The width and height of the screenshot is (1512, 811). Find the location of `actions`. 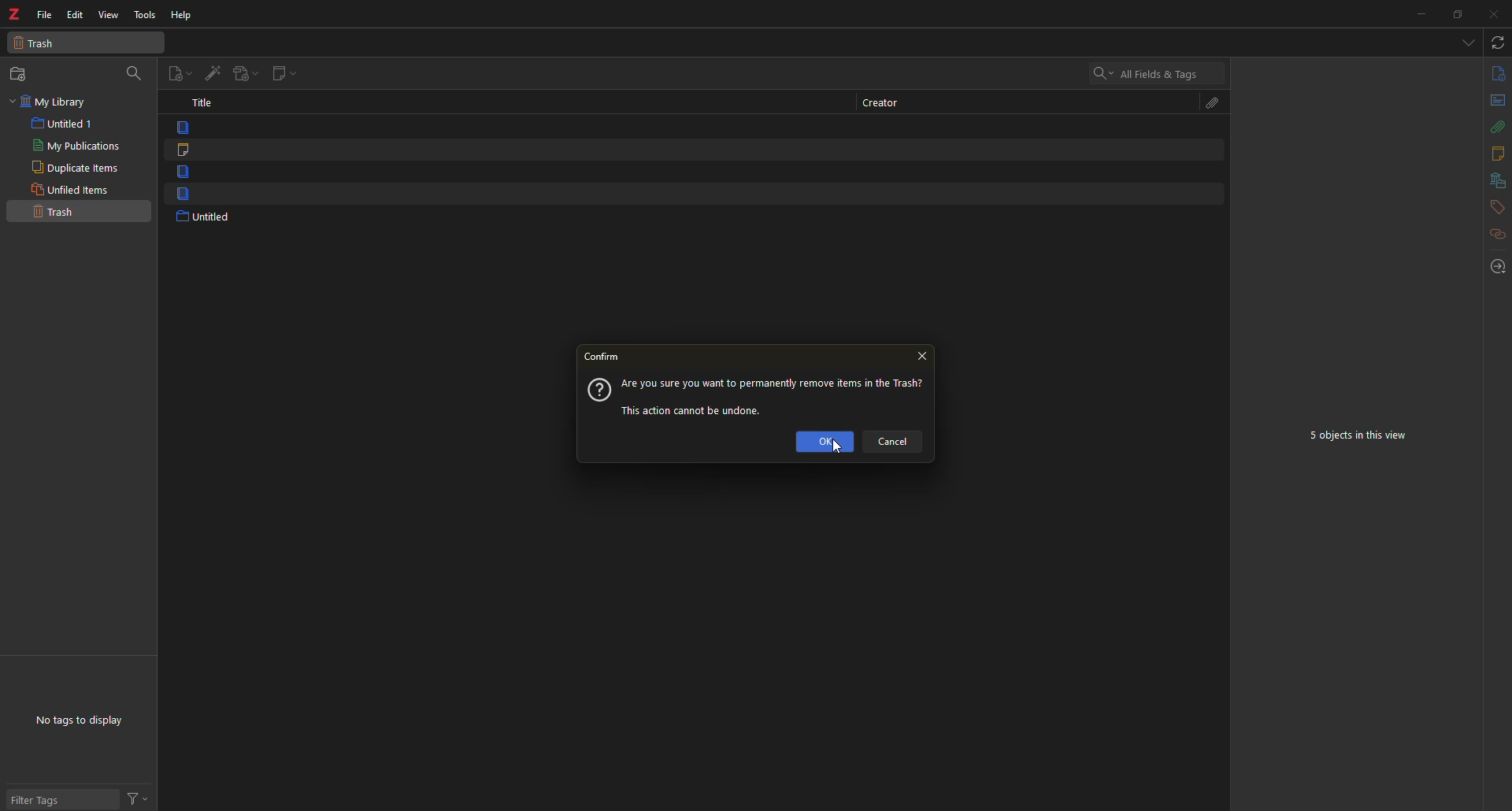

actions is located at coordinates (135, 797).